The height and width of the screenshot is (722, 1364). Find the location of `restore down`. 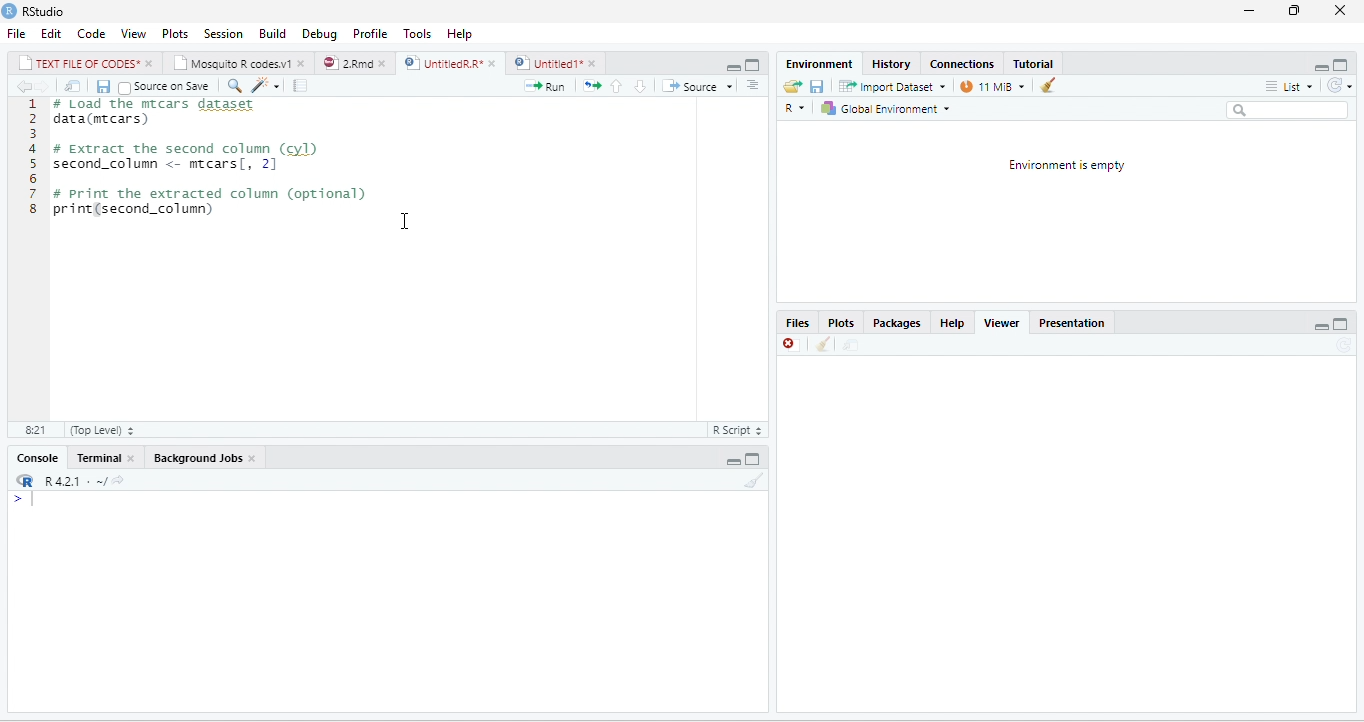

restore down is located at coordinates (1292, 12).